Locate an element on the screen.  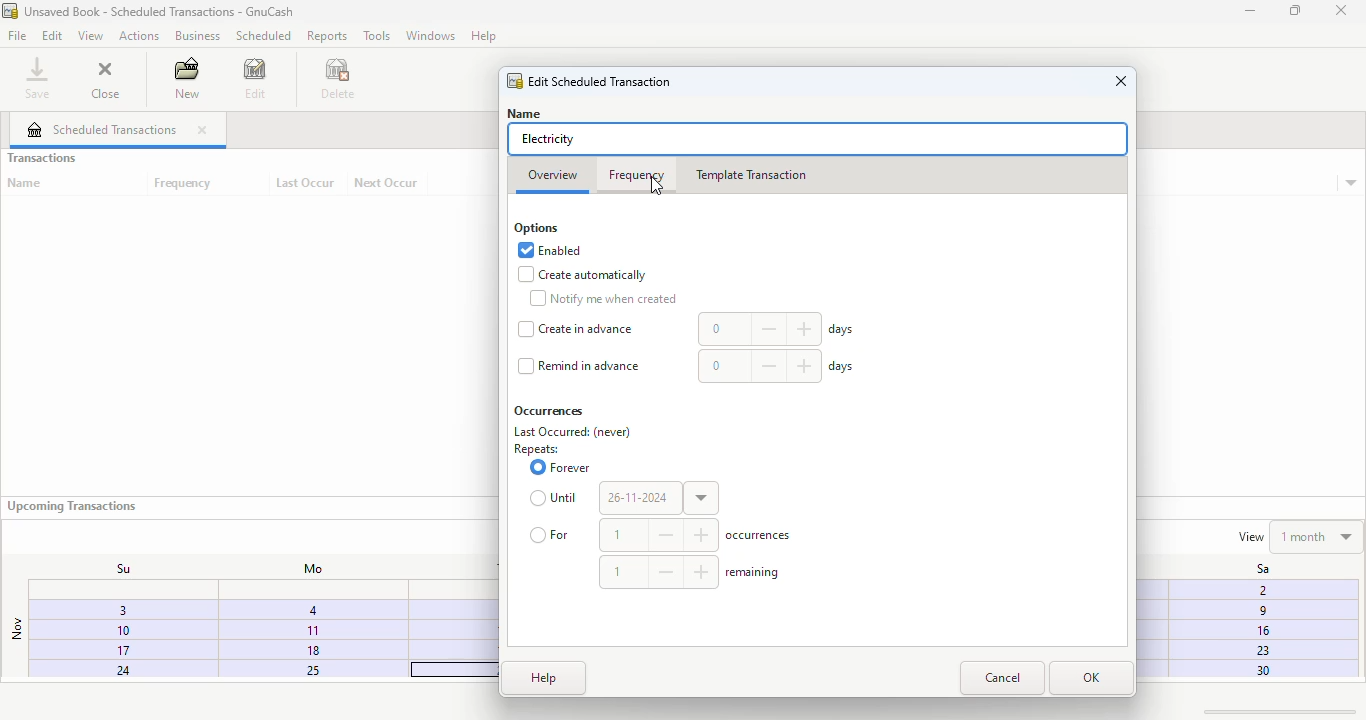
10 is located at coordinates (106, 631).